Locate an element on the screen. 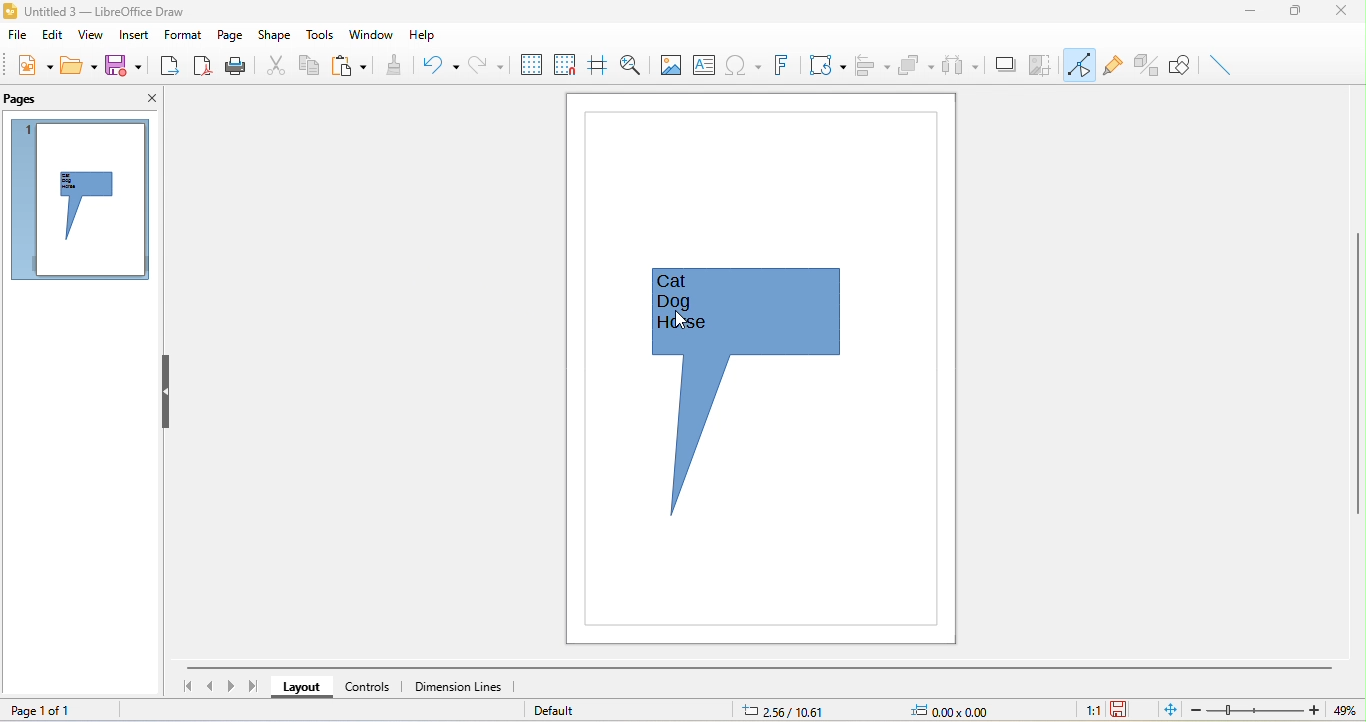 The width and height of the screenshot is (1366, 722). horizontal scroll bar is located at coordinates (762, 666).